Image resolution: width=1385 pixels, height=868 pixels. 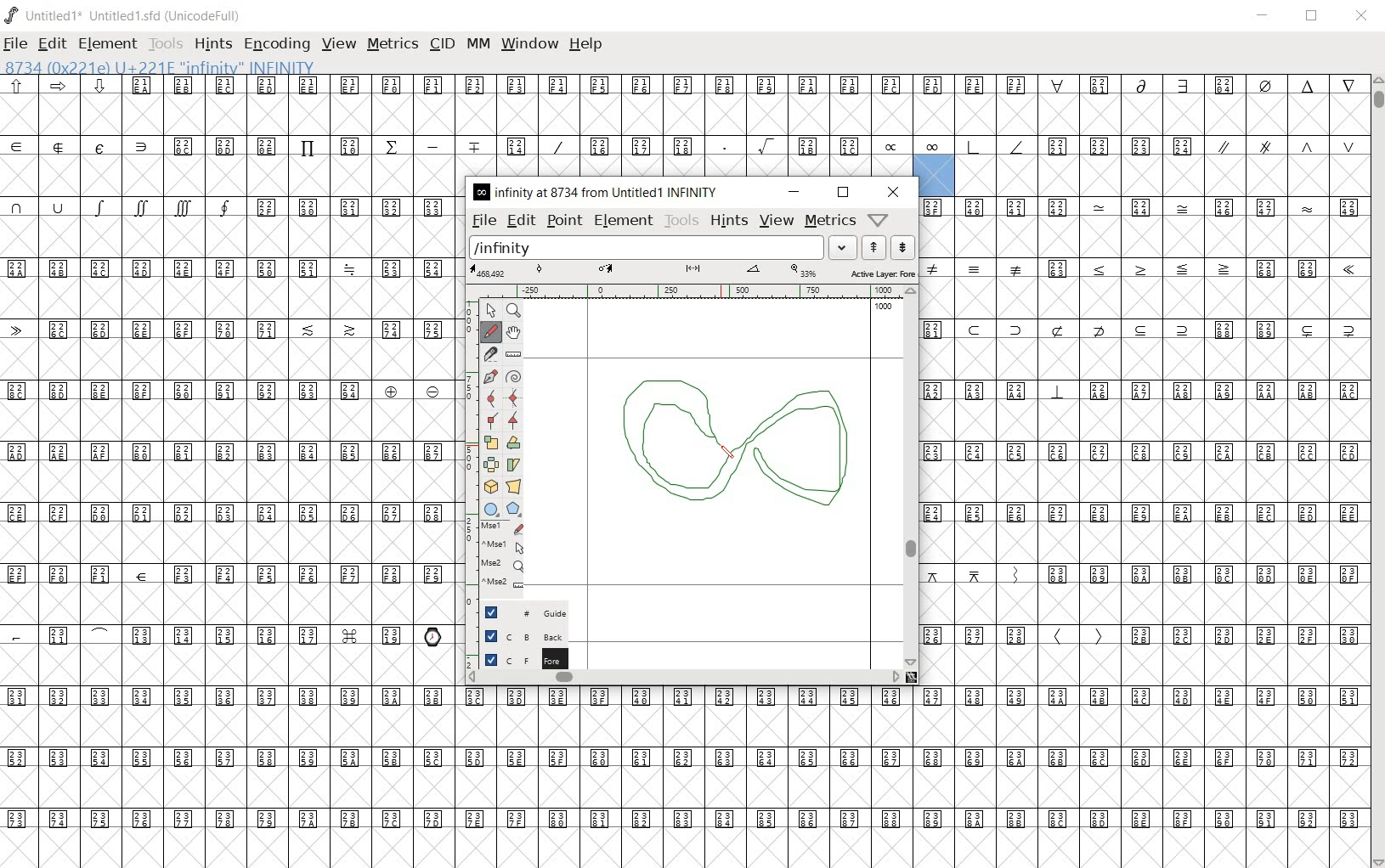 I want to click on sybols, so click(x=65, y=85).